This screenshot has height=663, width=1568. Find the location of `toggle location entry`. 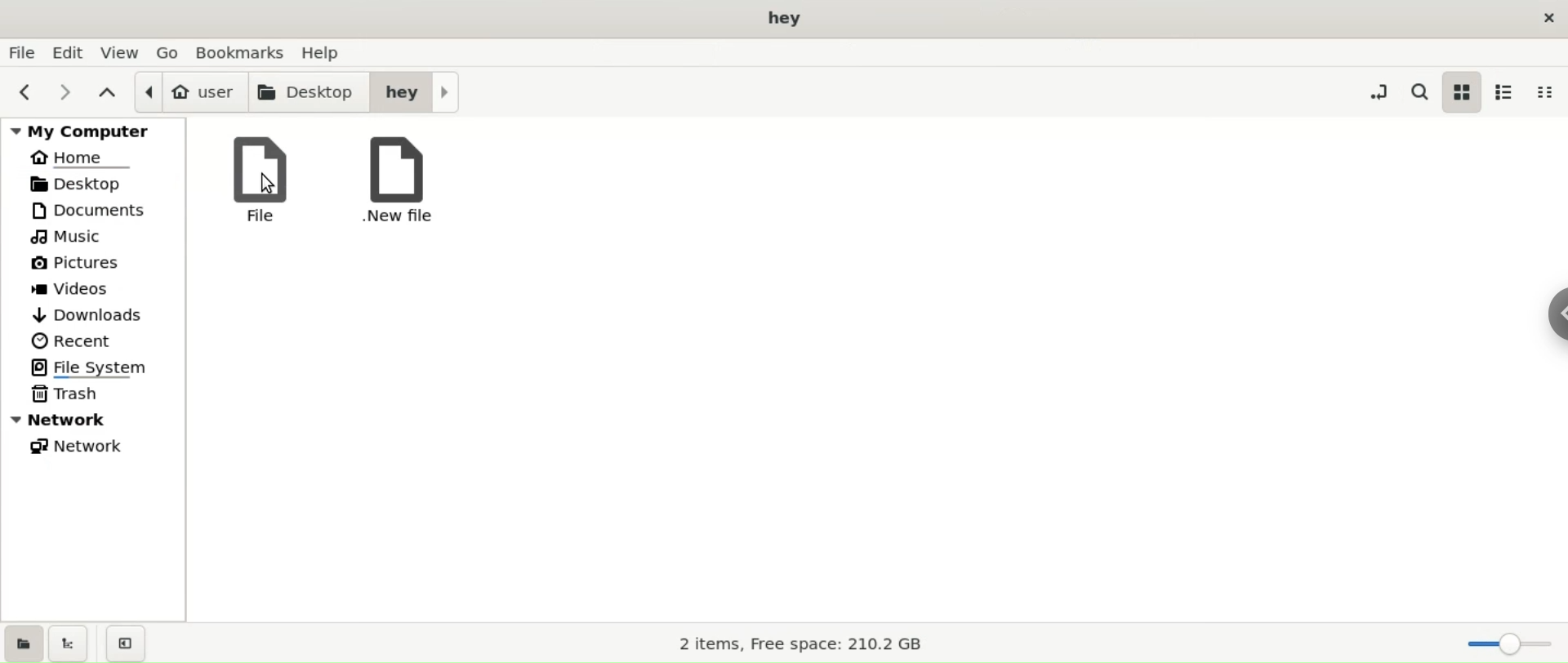

toggle location entry is located at coordinates (1375, 91).